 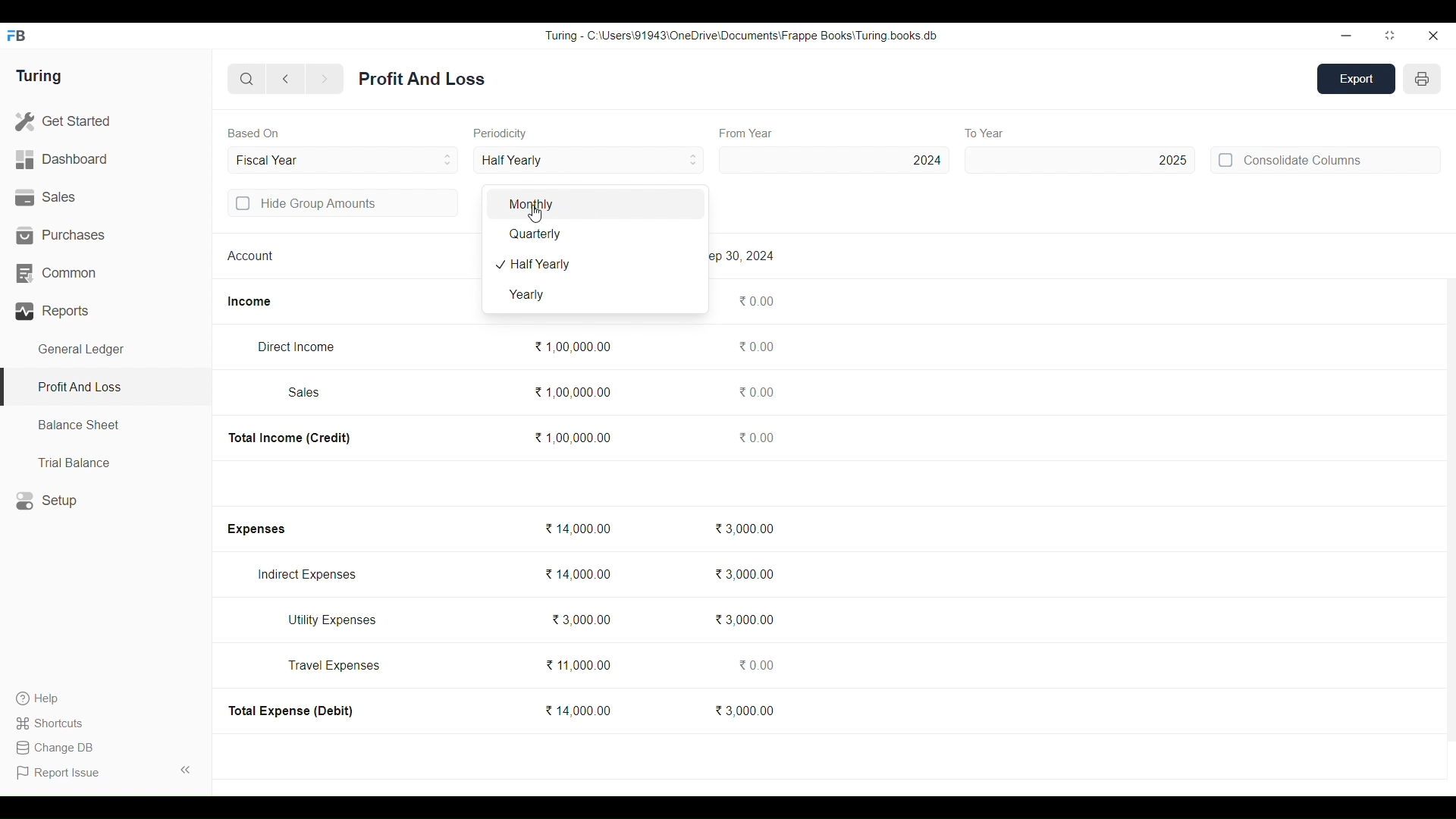 What do you see at coordinates (1432, 36) in the screenshot?
I see `Close` at bounding box center [1432, 36].